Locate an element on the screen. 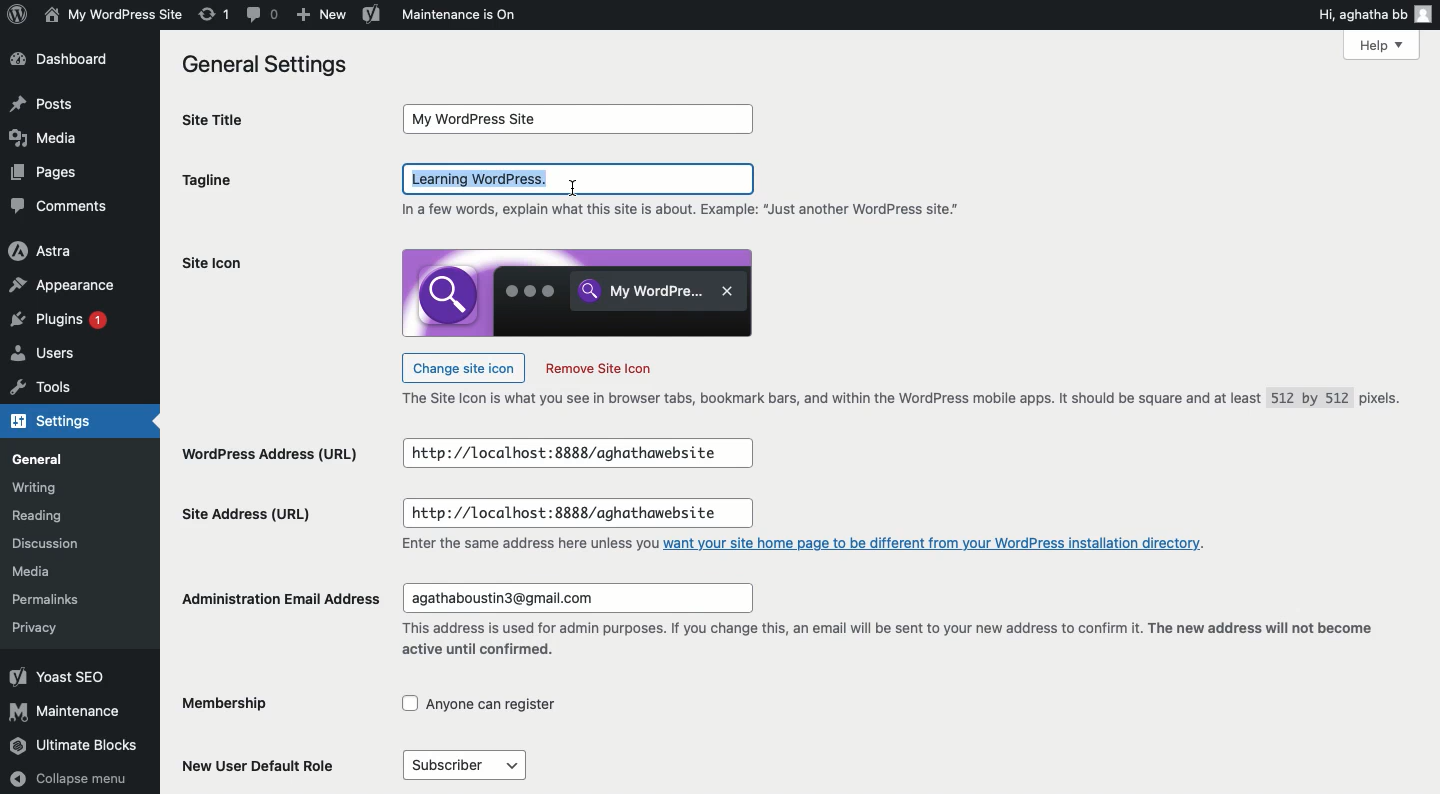  Site address is located at coordinates (247, 512).